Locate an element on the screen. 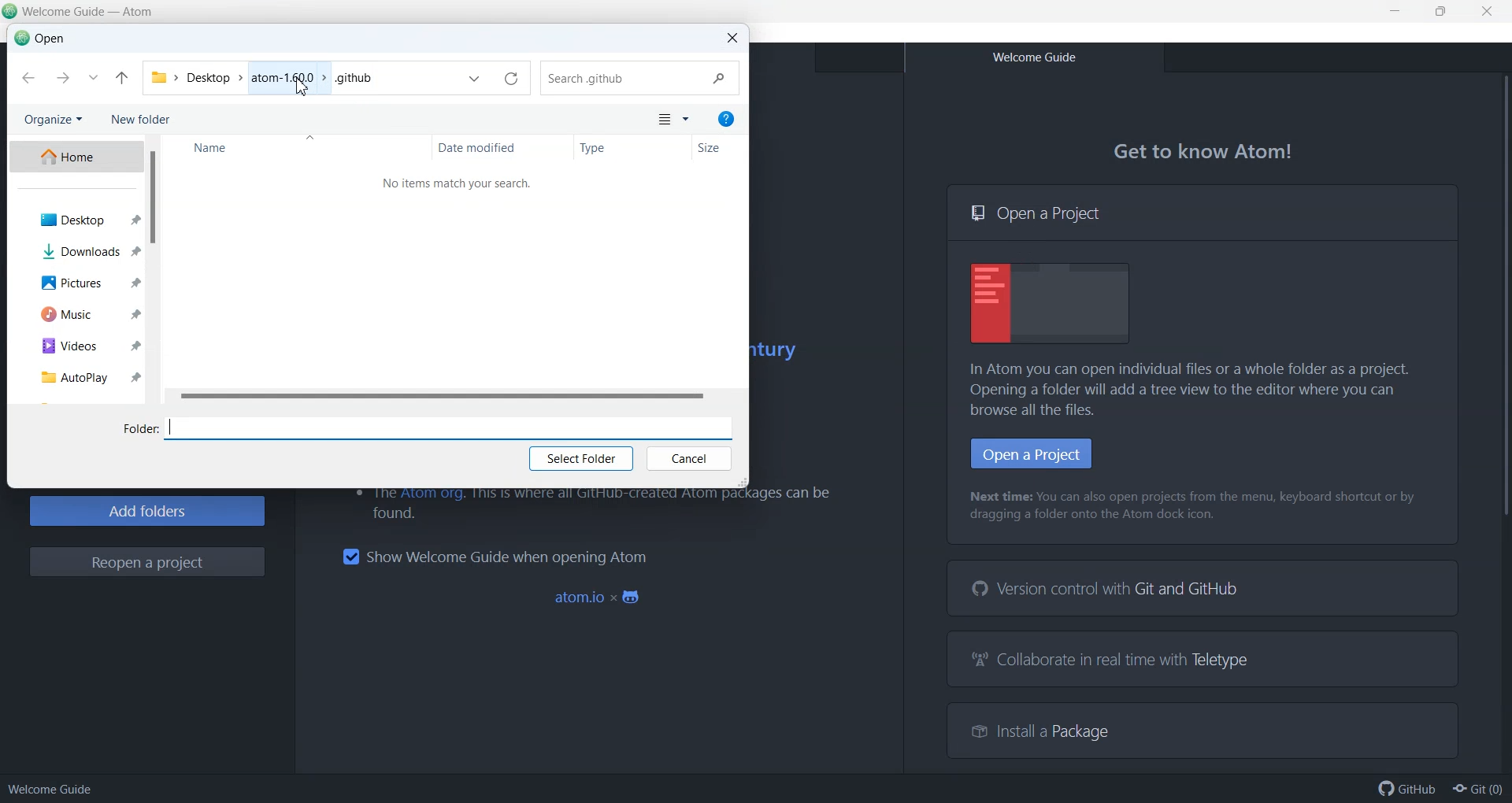 The height and width of the screenshot is (803, 1512). Open Project is located at coordinates (1032, 453).